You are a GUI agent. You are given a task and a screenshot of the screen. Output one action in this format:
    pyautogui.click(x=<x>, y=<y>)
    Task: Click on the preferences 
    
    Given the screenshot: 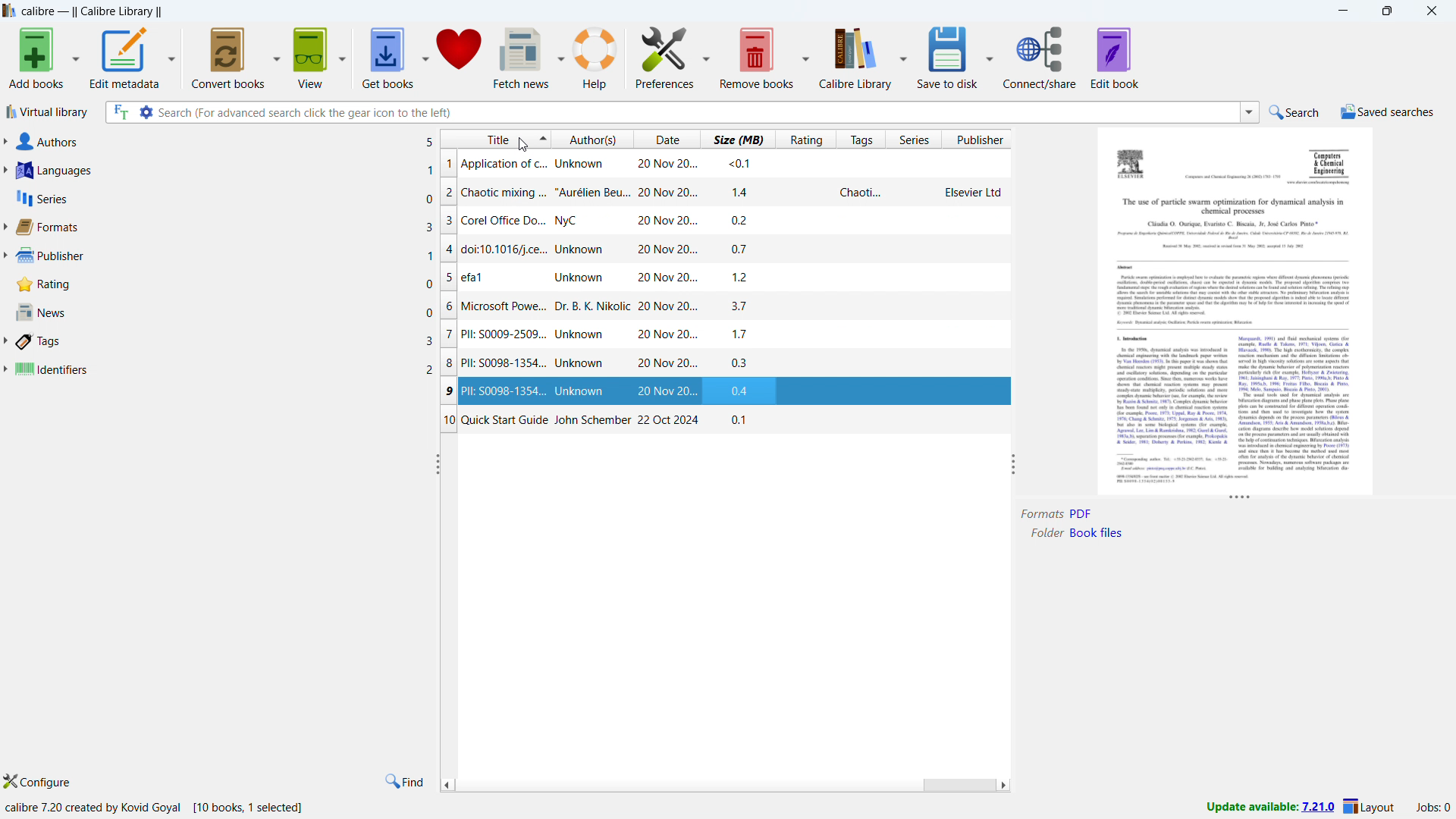 What is the action you would take?
    pyautogui.click(x=666, y=55)
    